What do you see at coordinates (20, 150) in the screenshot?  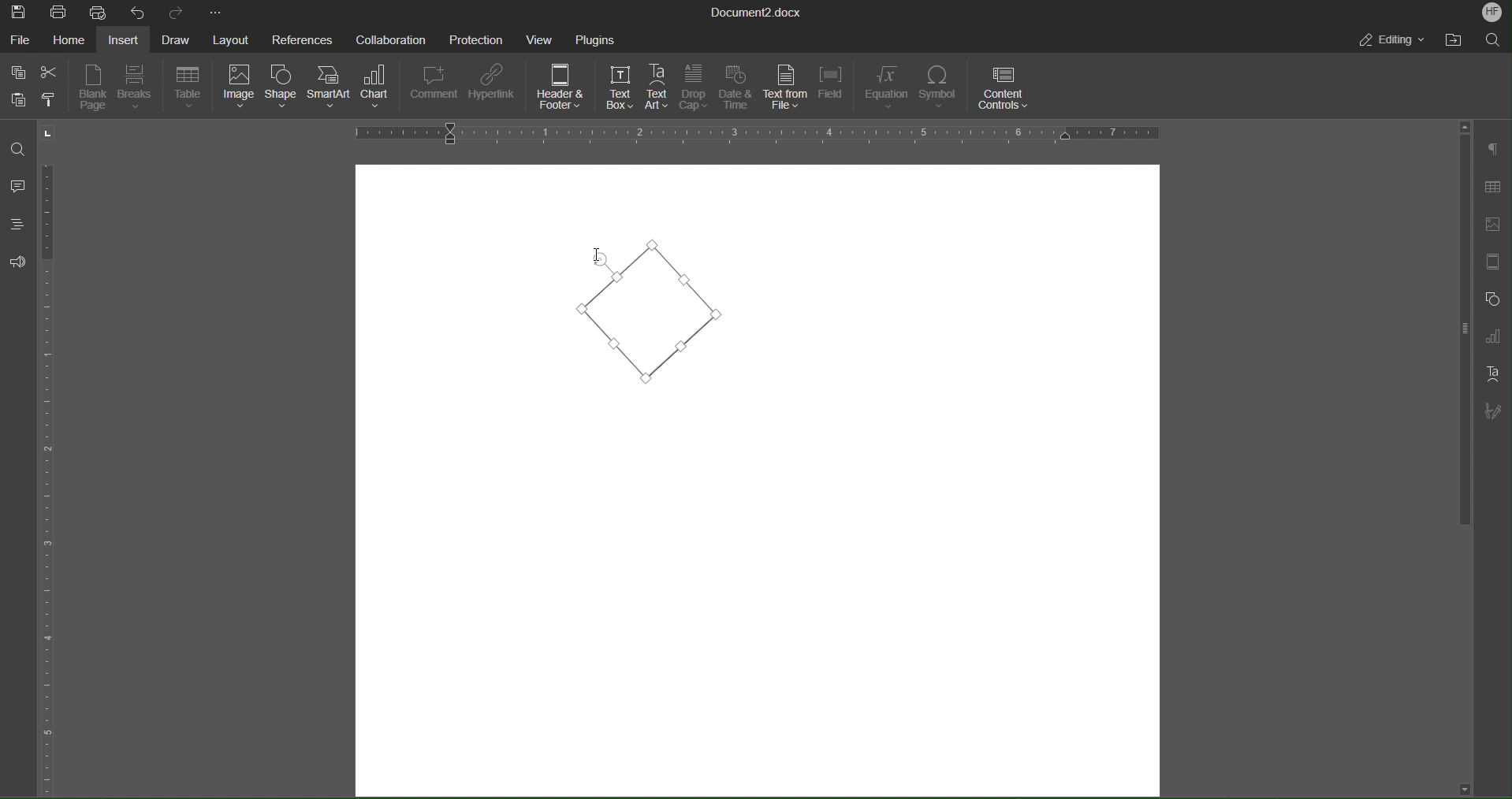 I see `Find` at bounding box center [20, 150].